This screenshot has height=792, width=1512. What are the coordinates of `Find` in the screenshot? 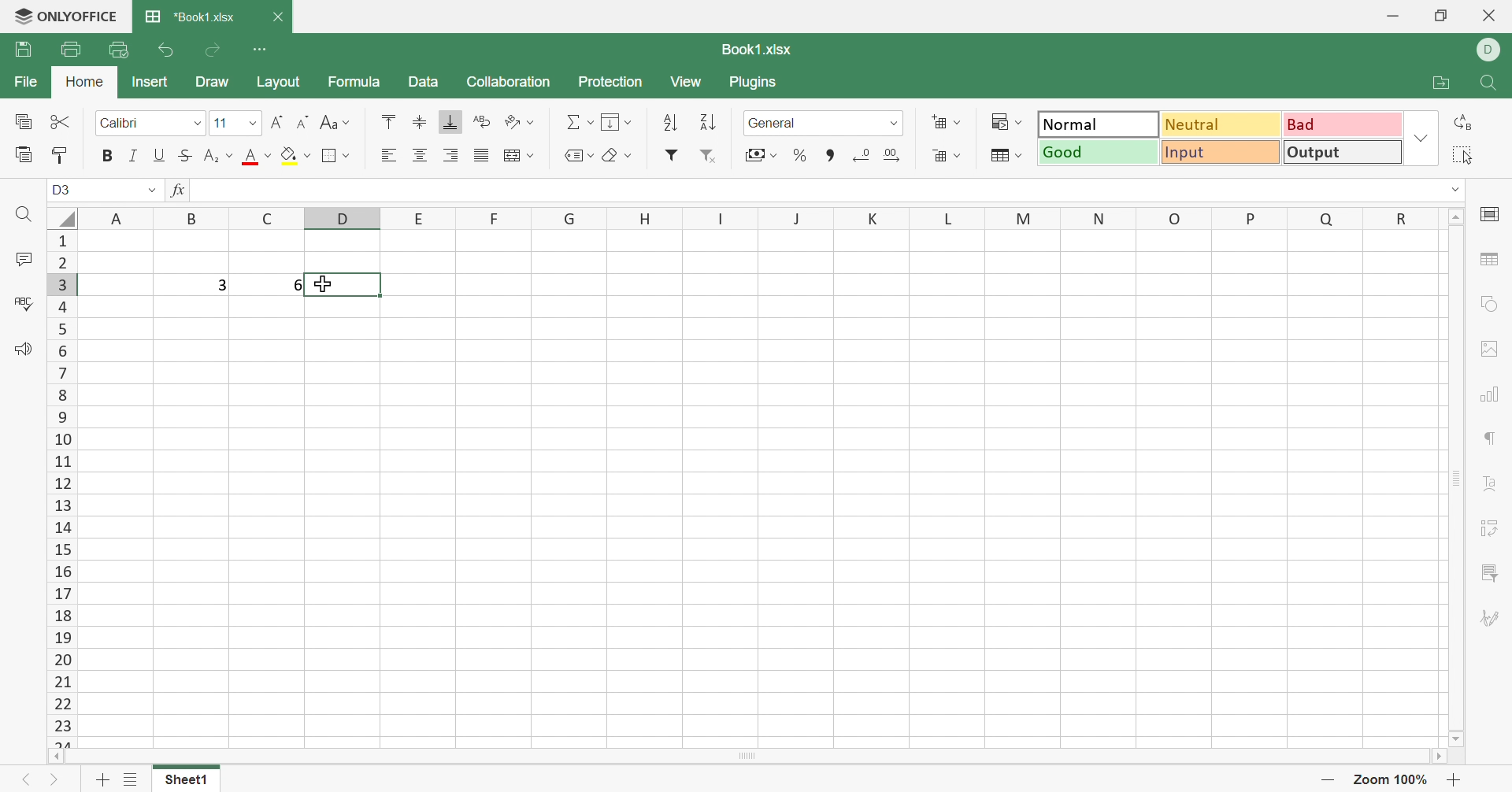 It's located at (1492, 83).